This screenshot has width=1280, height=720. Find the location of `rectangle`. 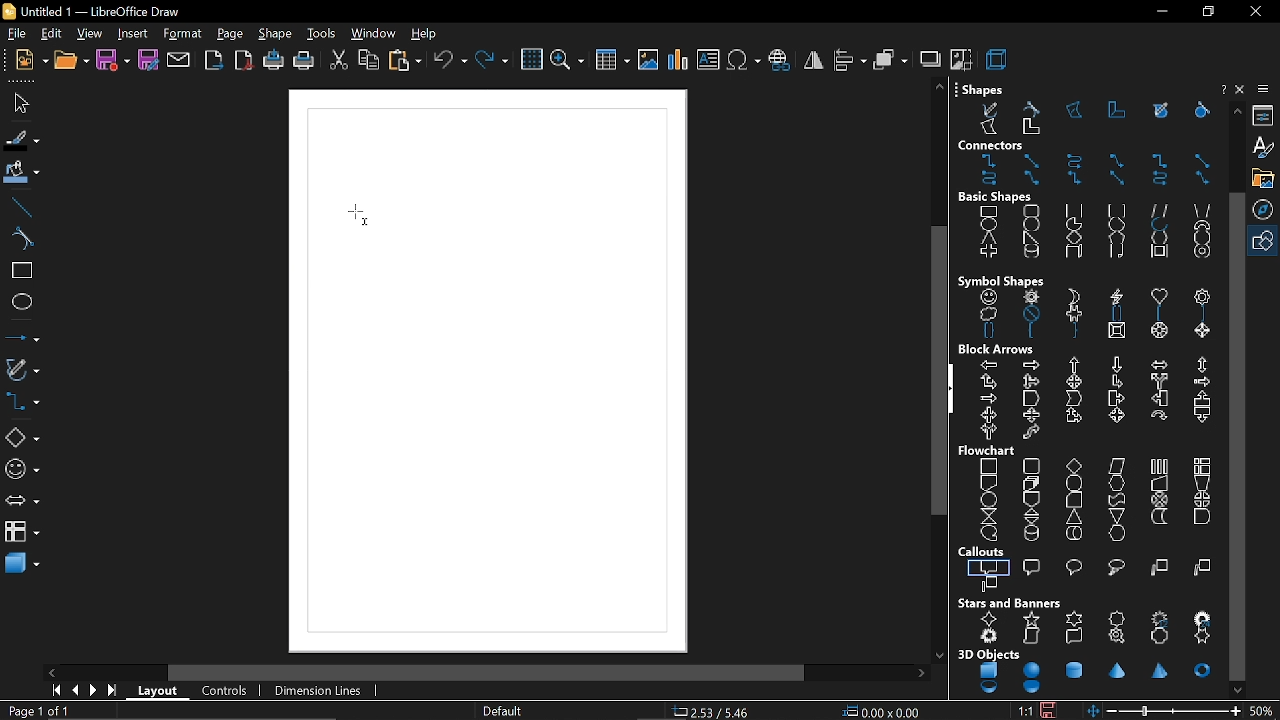

rectangle is located at coordinates (18, 272).